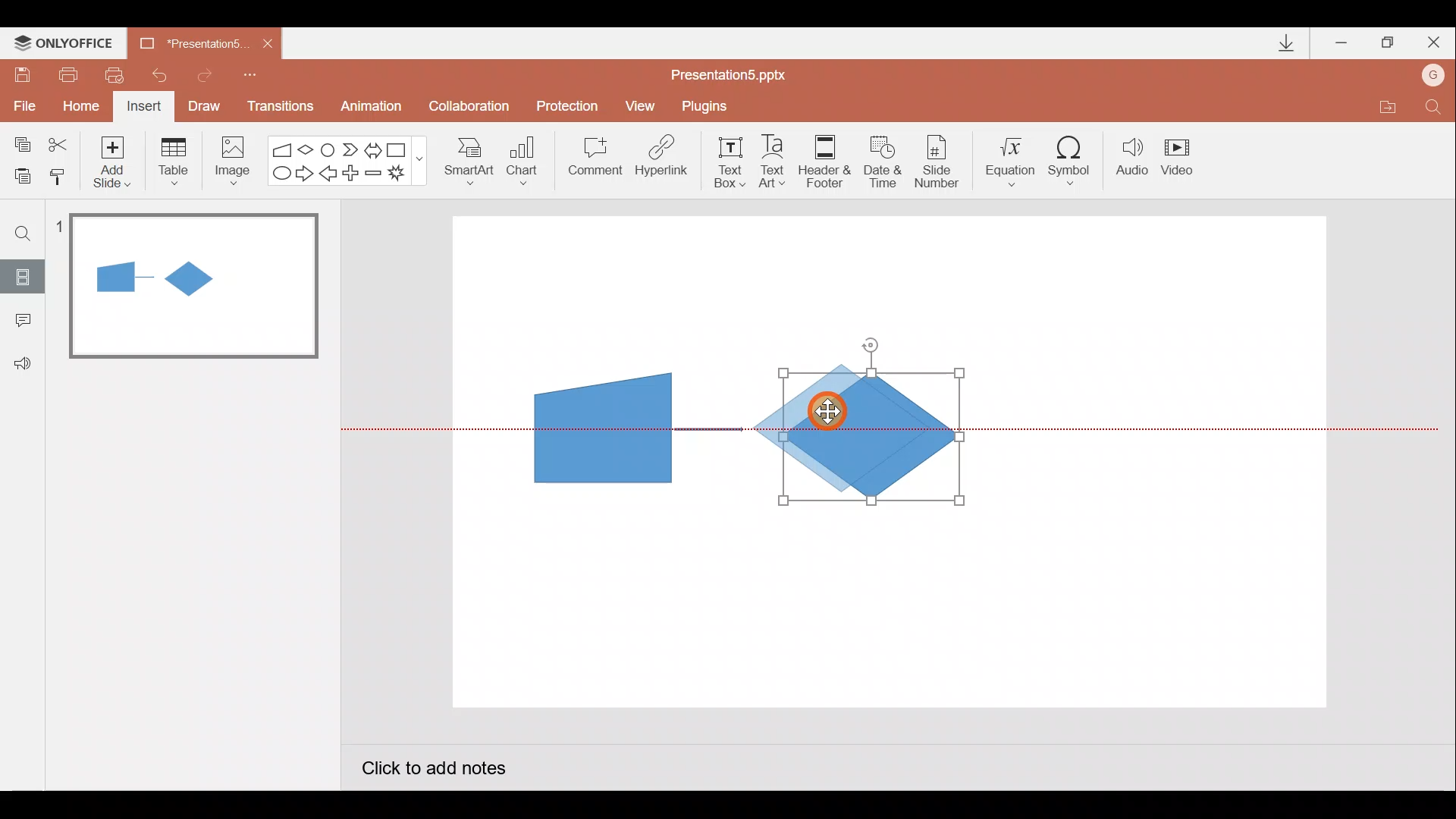  I want to click on SmartArt, so click(463, 160).